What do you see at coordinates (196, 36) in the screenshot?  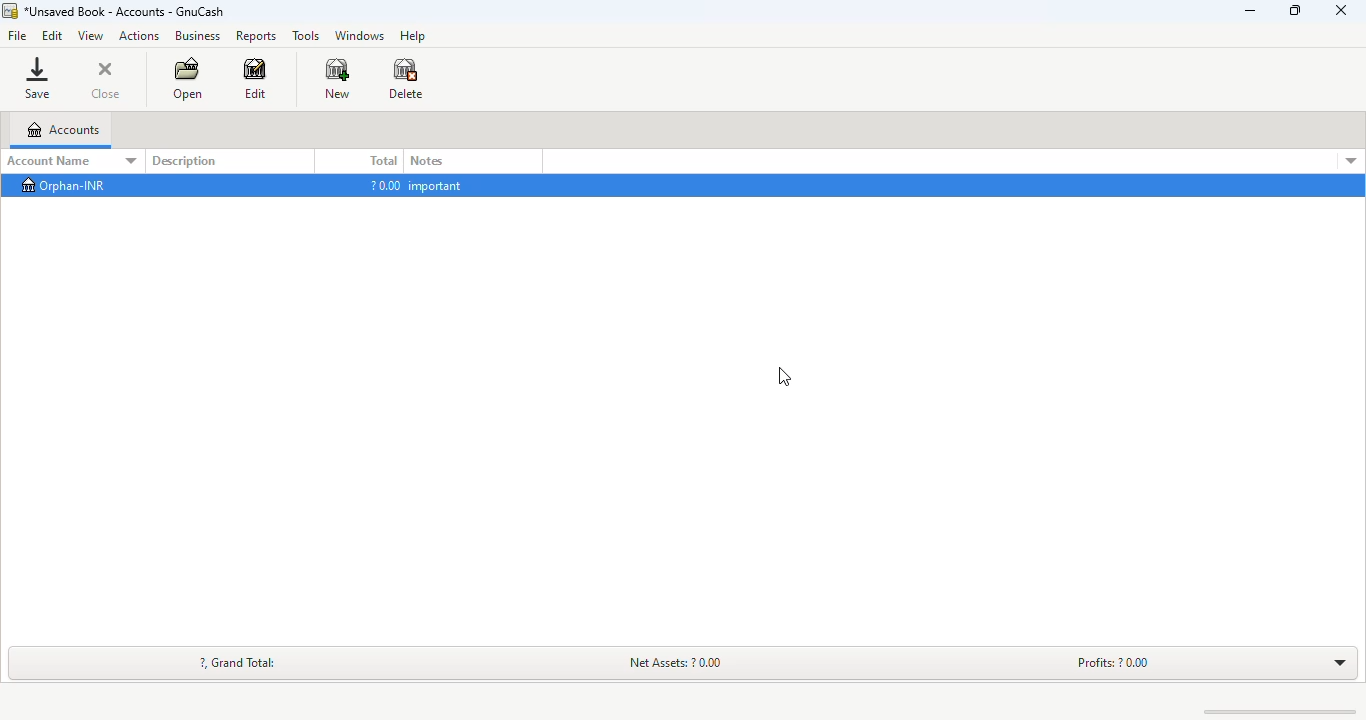 I see `business` at bounding box center [196, 36].